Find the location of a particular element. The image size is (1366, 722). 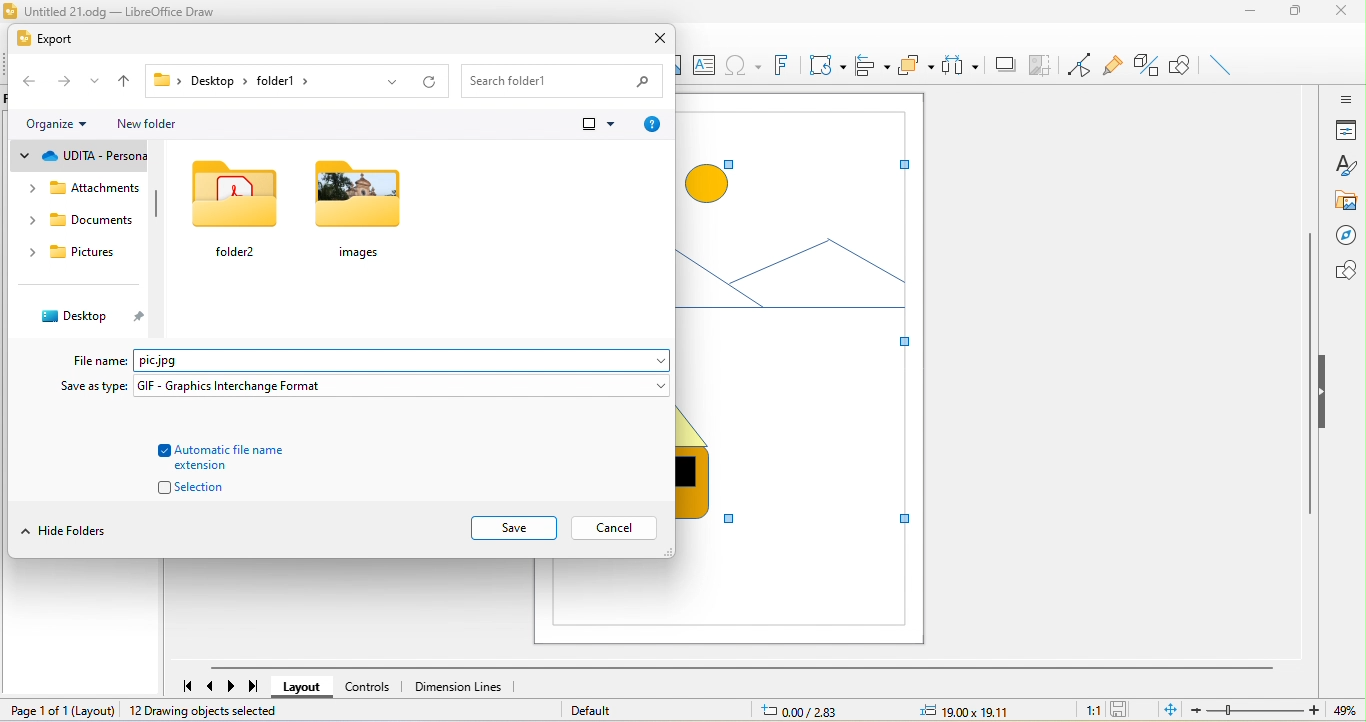

default is located at coordinates (593, 710).